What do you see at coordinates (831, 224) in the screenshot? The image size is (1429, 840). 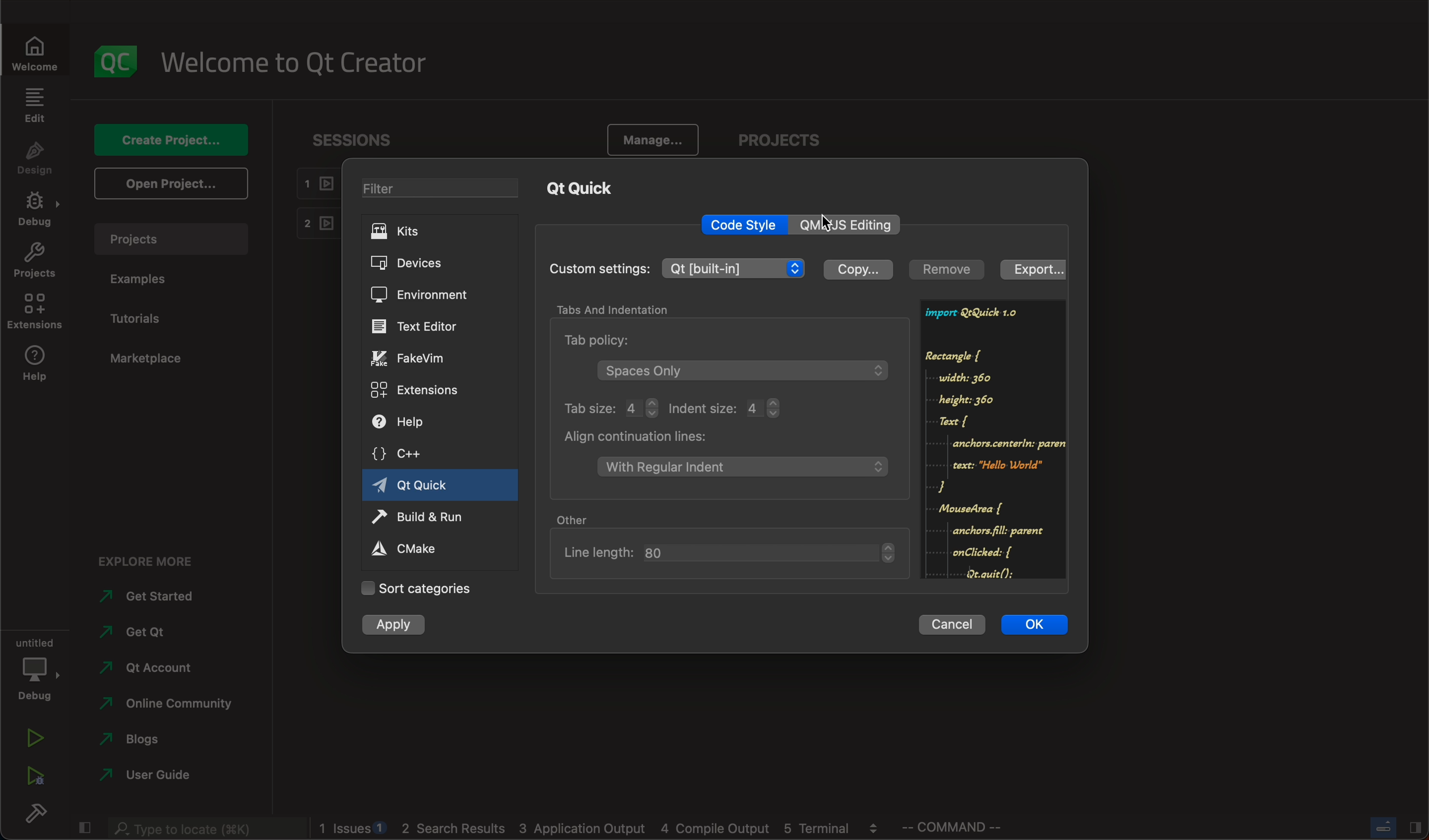 I see `cursor` at bounding box center [831, 224].